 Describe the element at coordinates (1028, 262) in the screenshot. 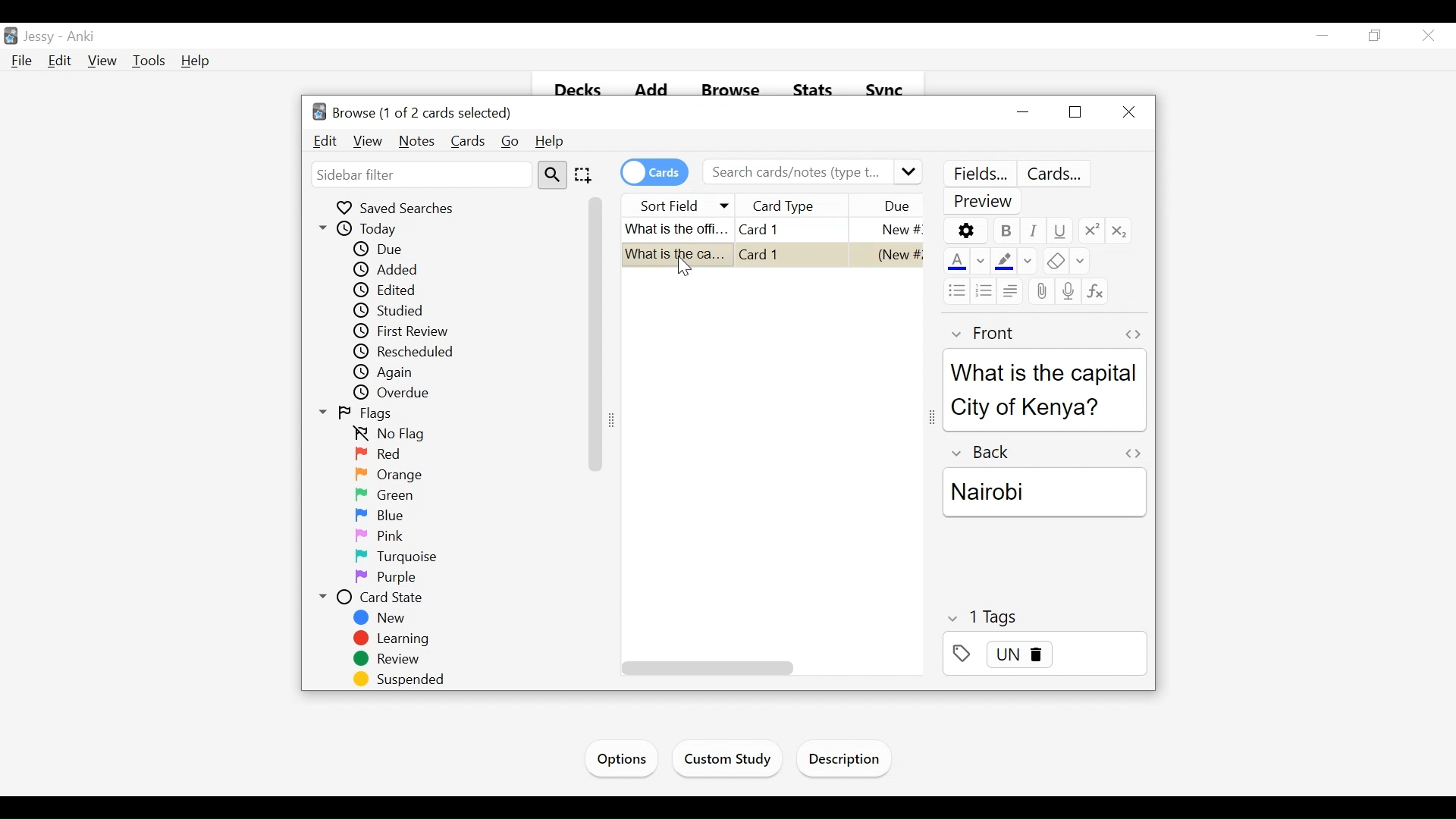

I see `Change color` at that location.